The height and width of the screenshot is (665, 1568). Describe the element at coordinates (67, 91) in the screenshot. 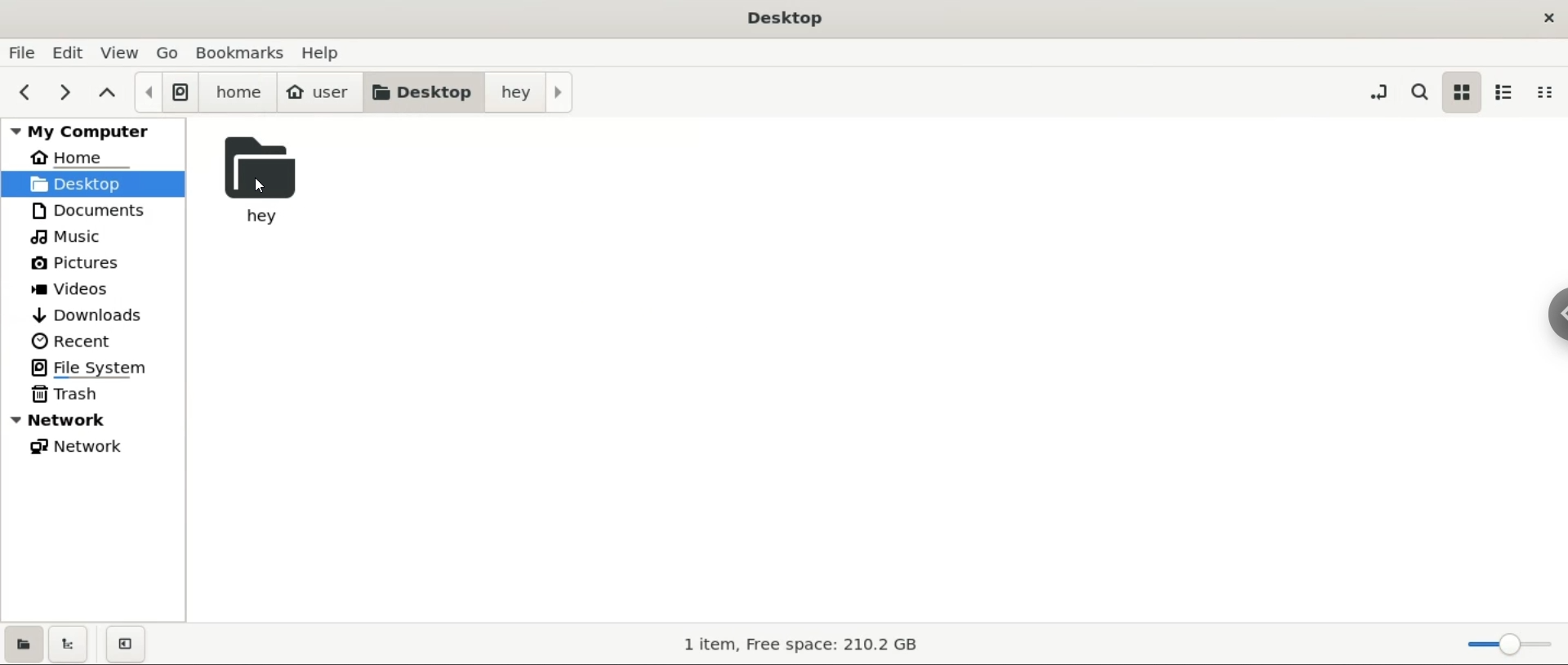

I see `next` at that location.